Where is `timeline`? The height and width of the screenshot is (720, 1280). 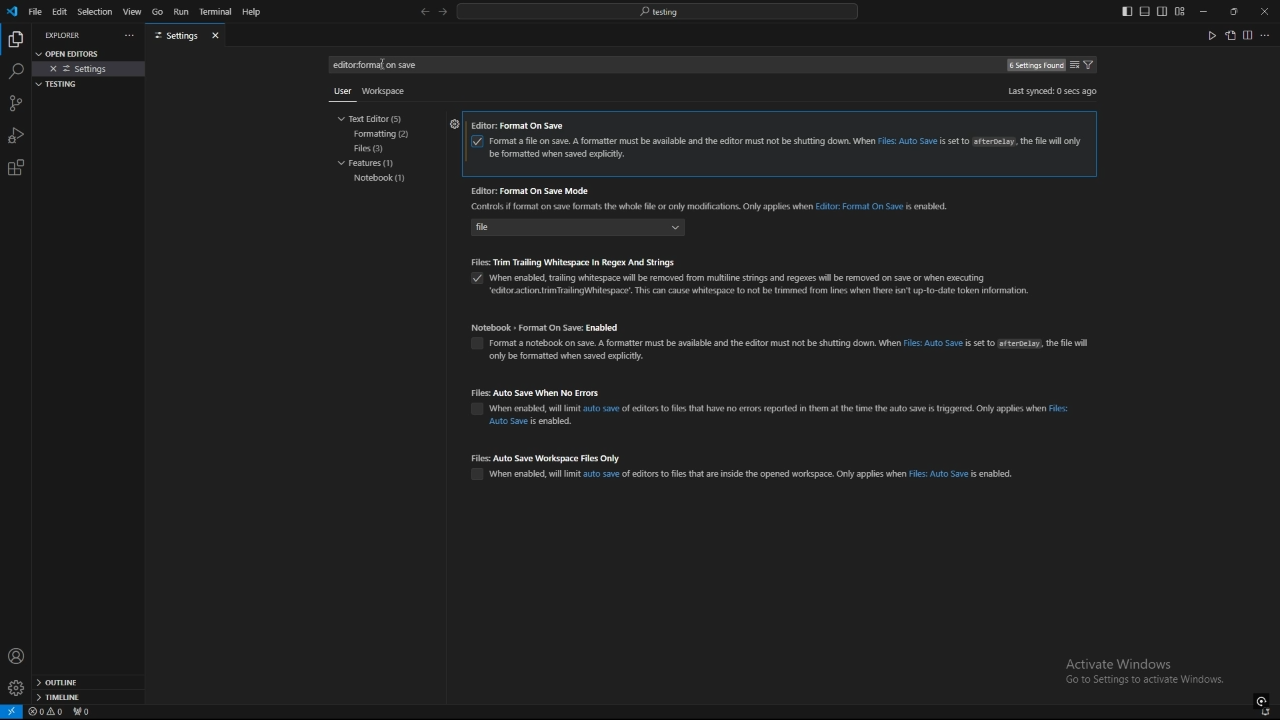 timeline is located at coordinates (88, 699).